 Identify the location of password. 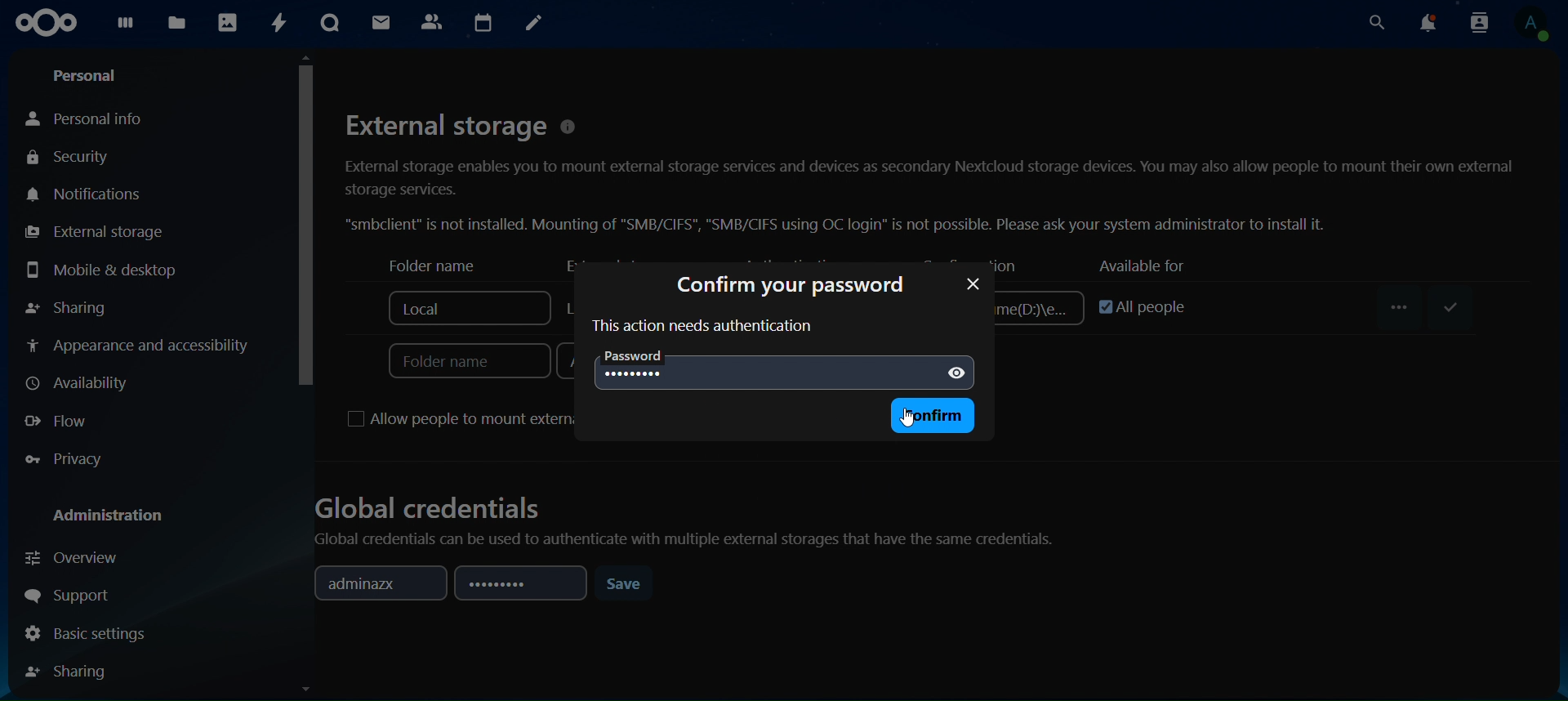
(518, 585).